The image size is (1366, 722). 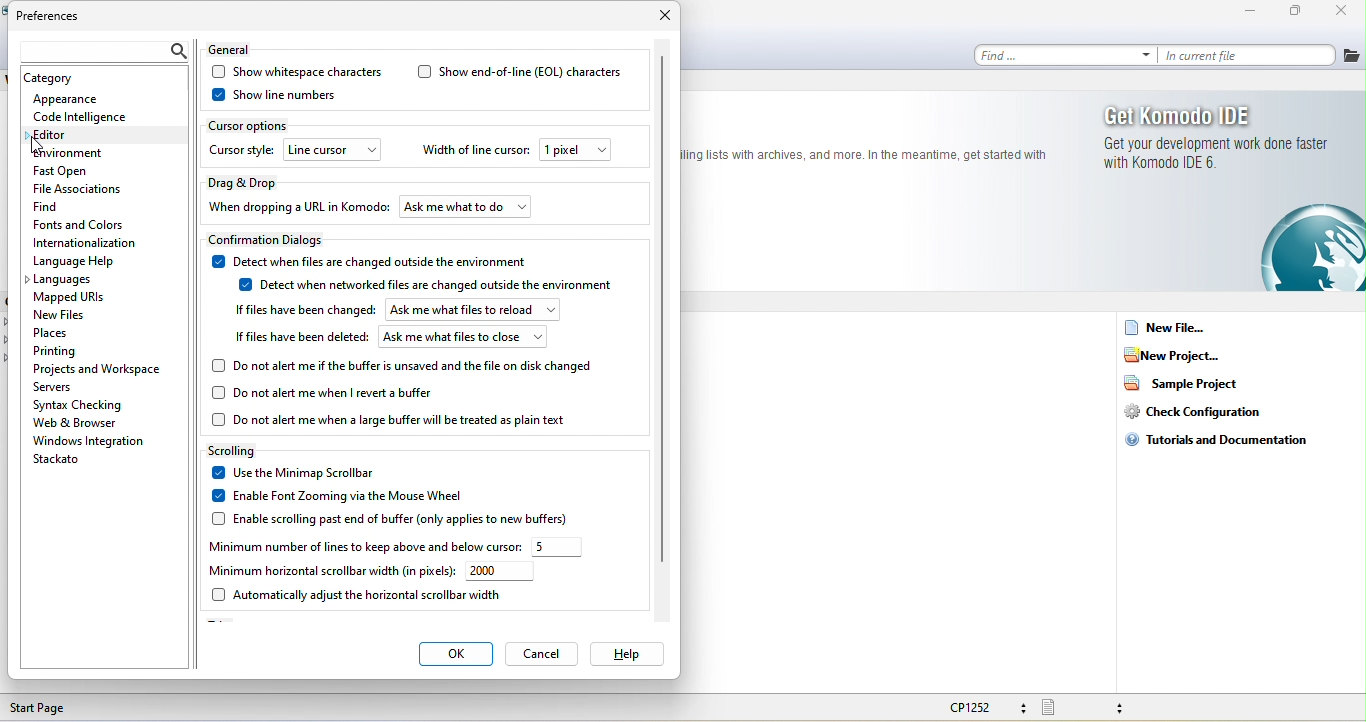 What do you see at coordinates (86, 223) in the screenshot?
I see `fonts and colors` at bounding box center [86, 223].